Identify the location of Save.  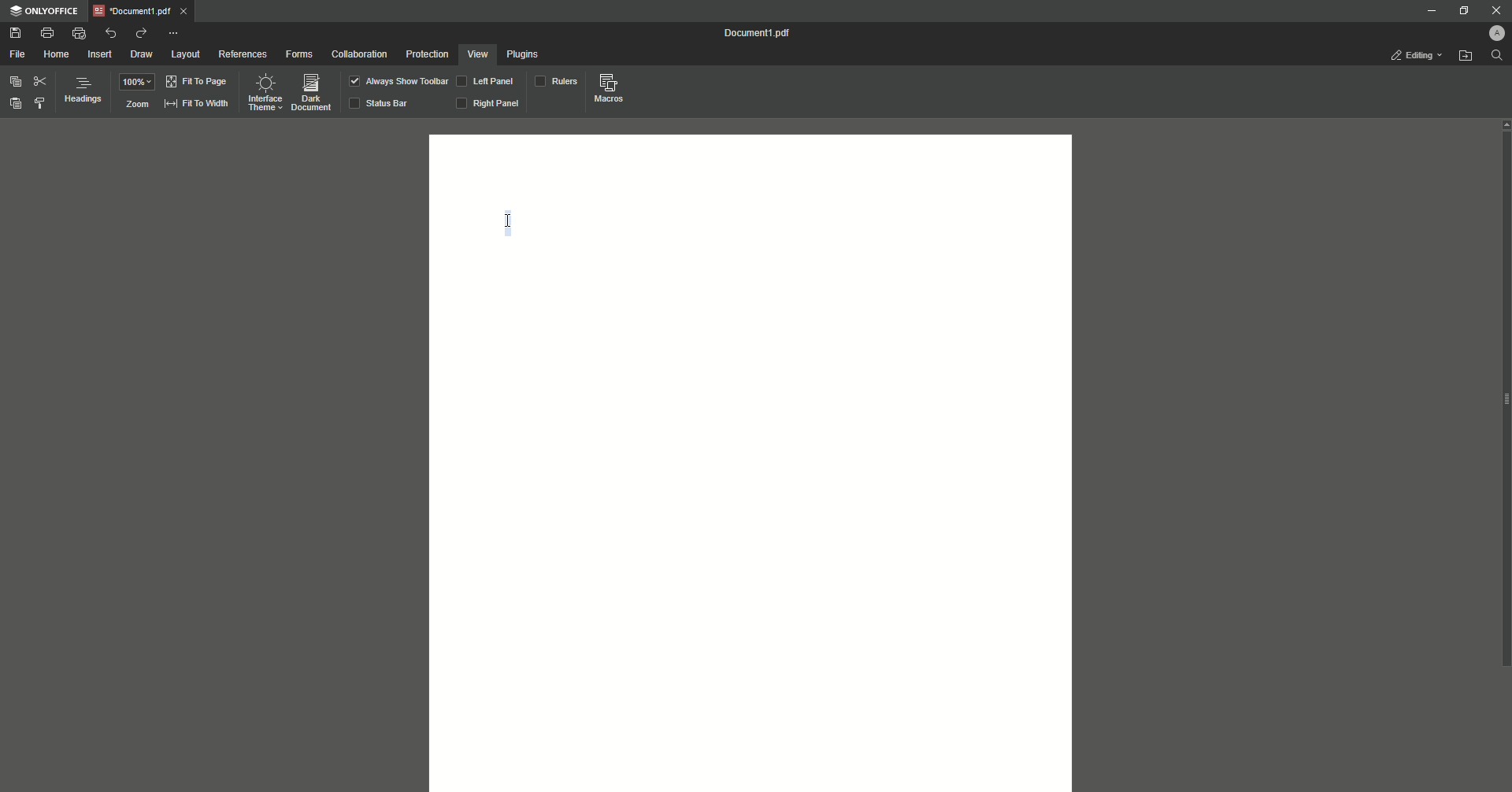
(16, 33).